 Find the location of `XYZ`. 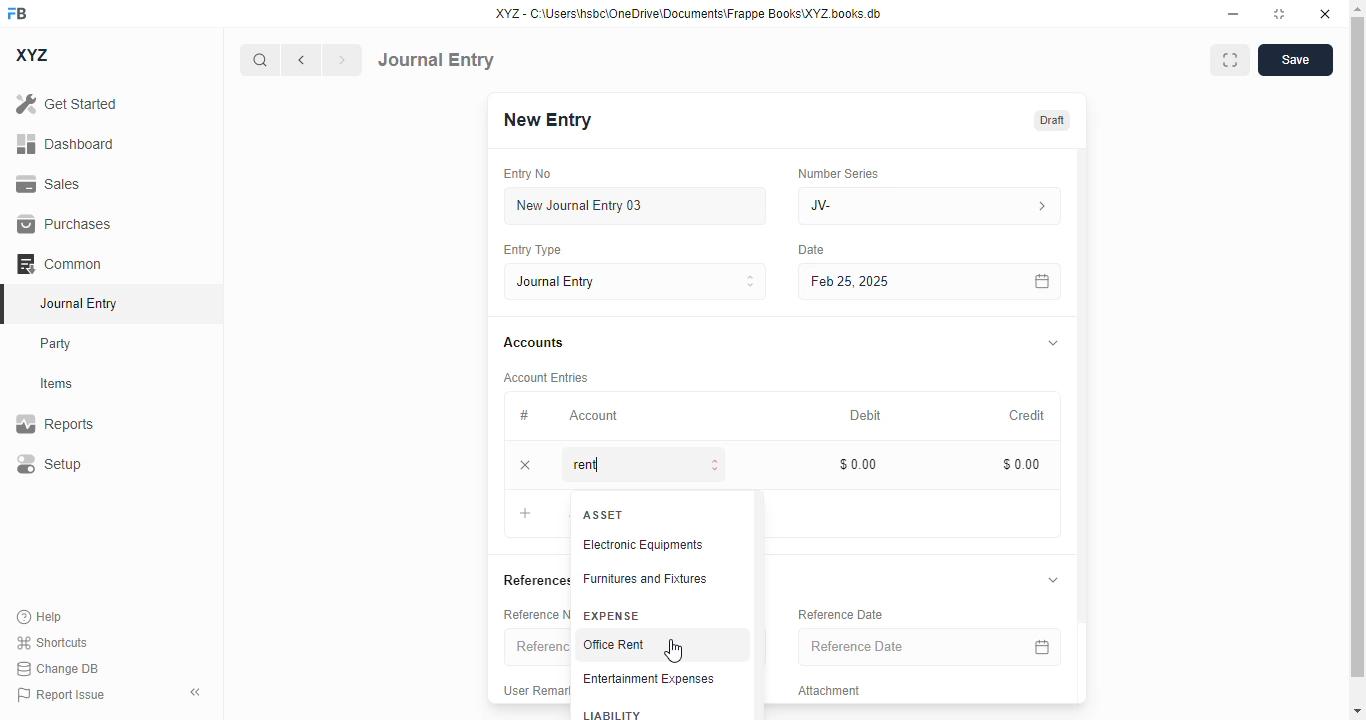

XYZ is located at coordinates (33, 55).